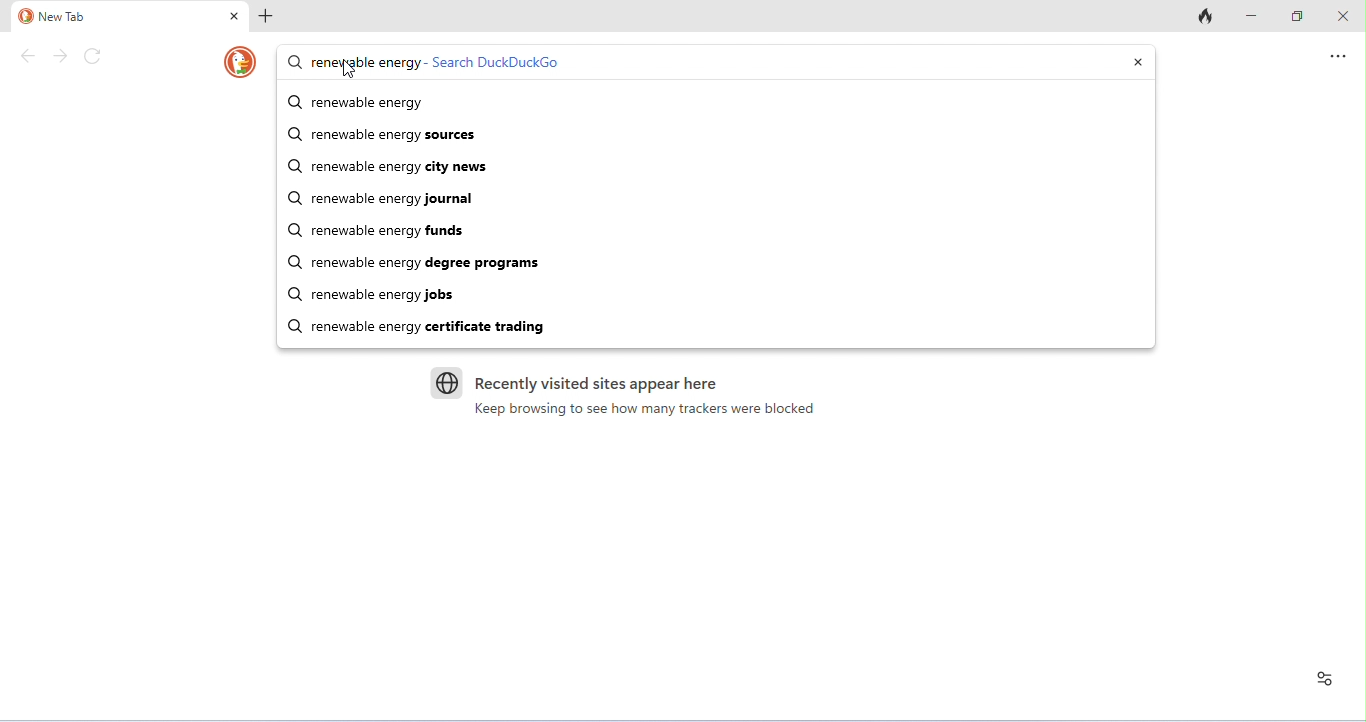 This screenshot has width=1366, height=722. What do you see at coordinates (727, 167) in the screenshot?
I see `renewable energy city news` at bounding box center [727, 167].